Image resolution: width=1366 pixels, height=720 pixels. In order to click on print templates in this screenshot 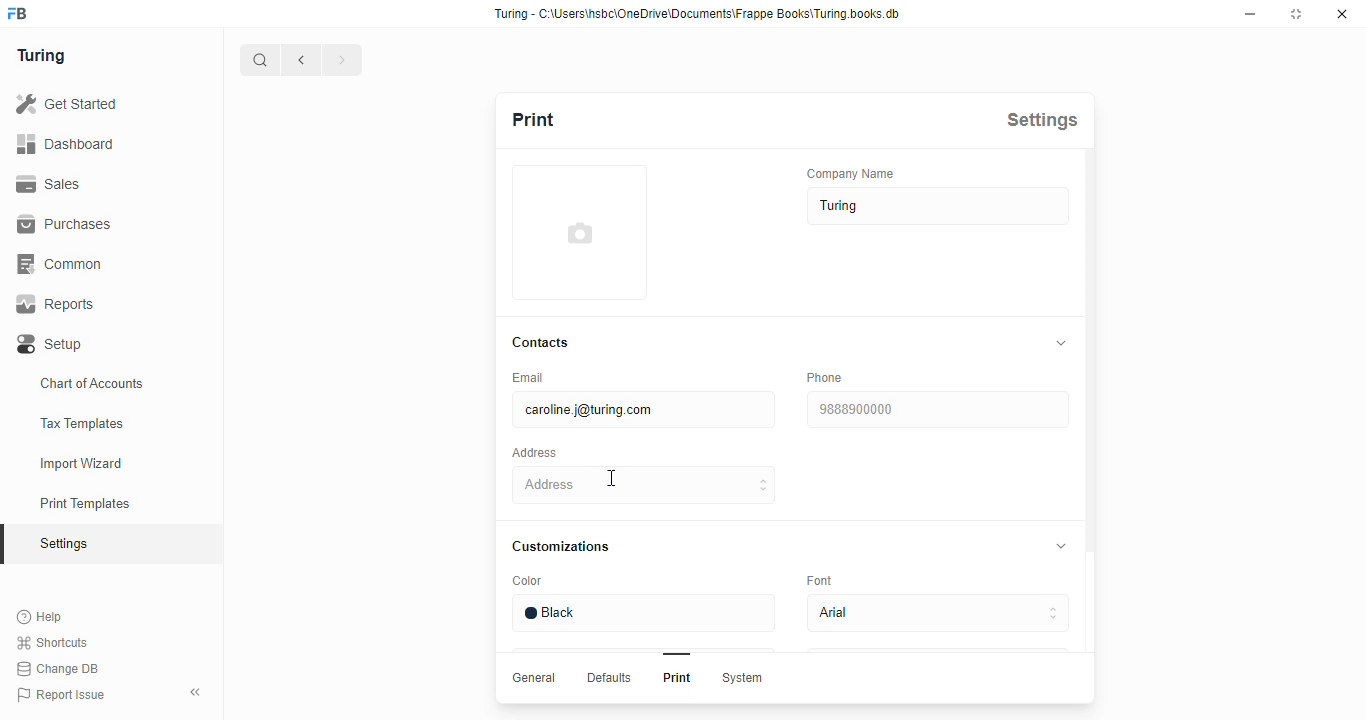, I will do `click(85, 503)`.